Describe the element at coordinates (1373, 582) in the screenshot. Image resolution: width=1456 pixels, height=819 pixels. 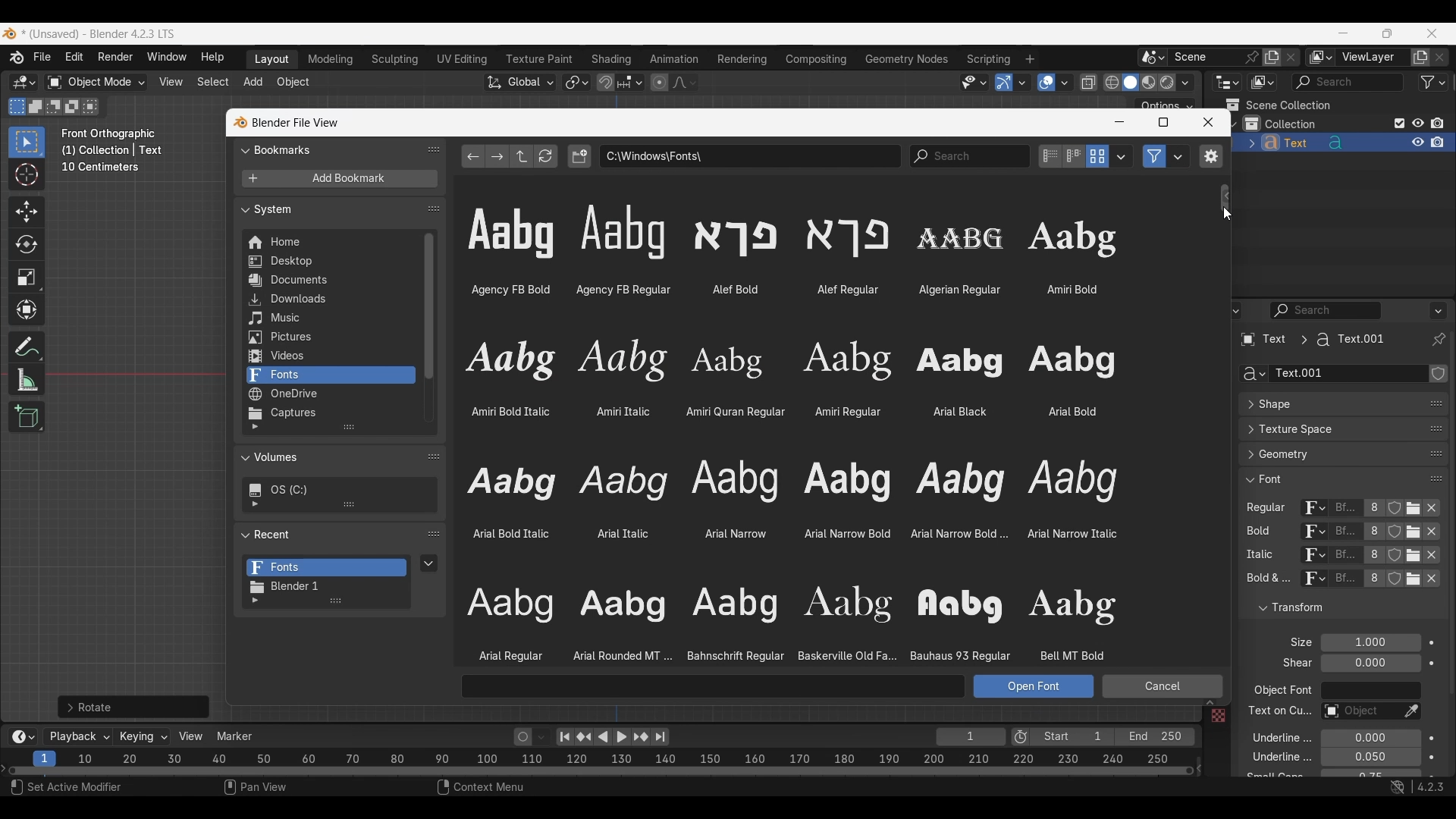
I see `Display number of users` at that location.